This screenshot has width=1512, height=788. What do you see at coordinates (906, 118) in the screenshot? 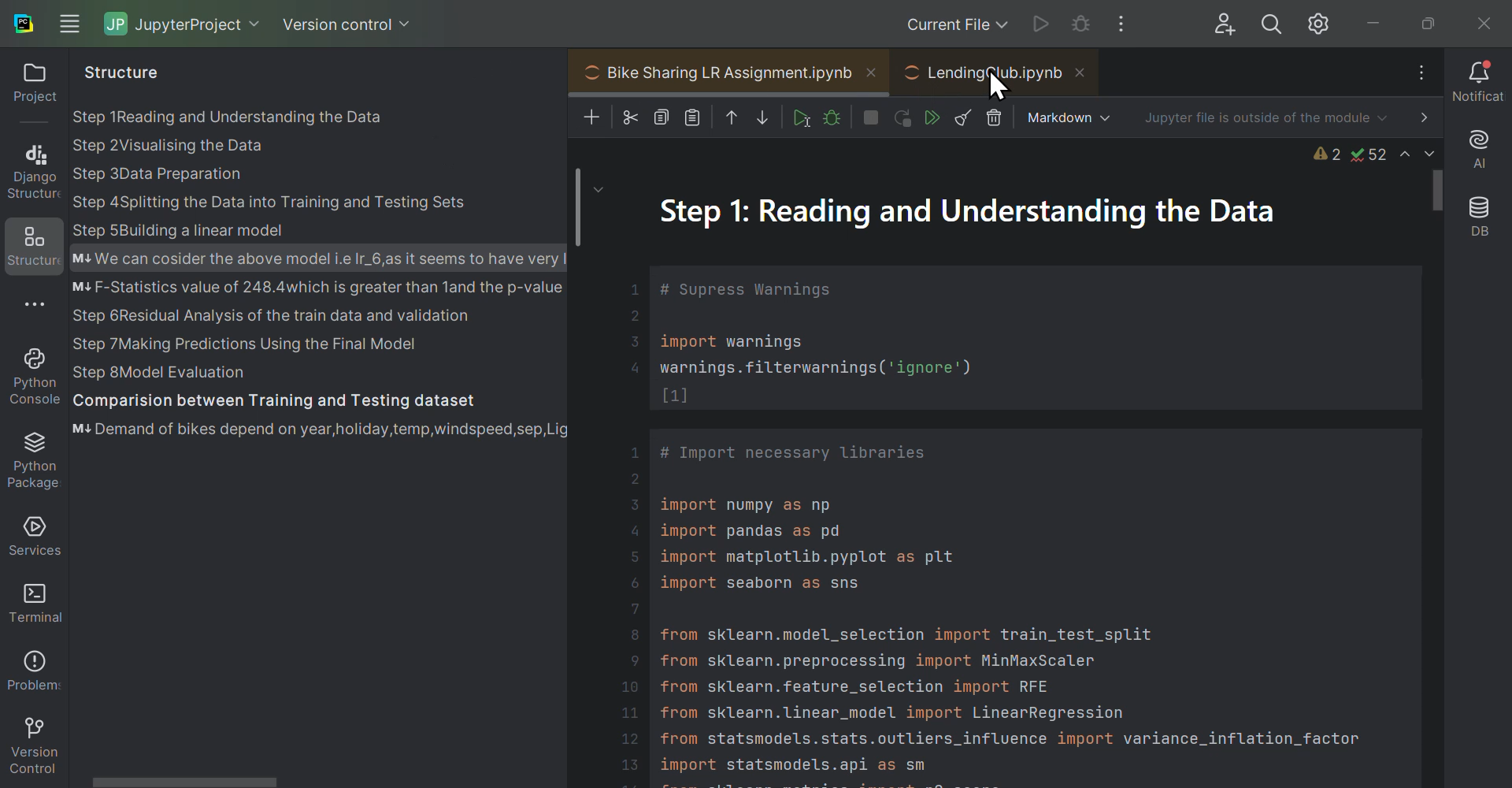
I see `restart Kernel` at bounding box center [906, 118].